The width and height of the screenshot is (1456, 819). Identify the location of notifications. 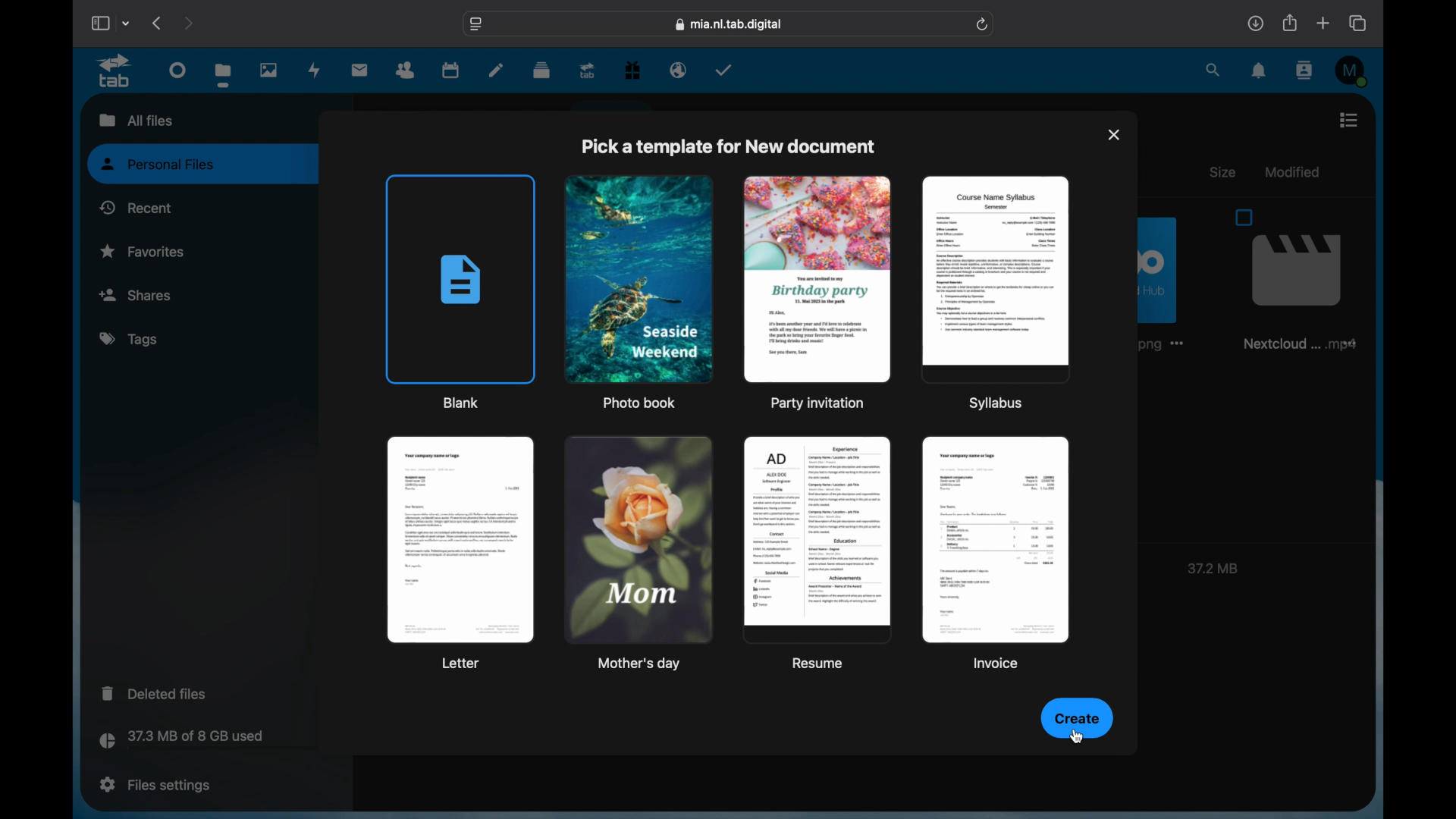
(1260, 71).